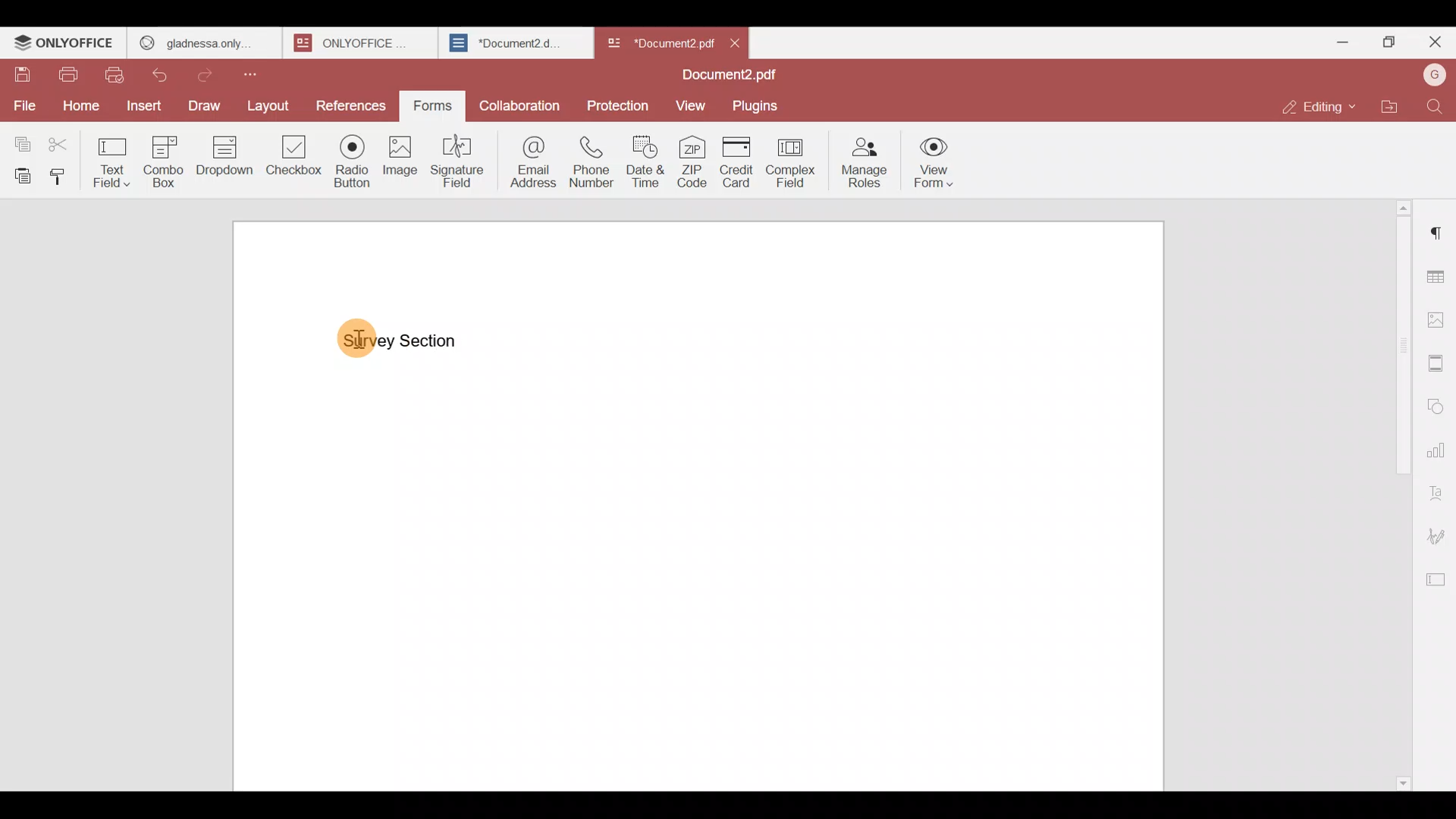  What do you see at coordinates (657, 42) in the screenshot?
I see `*Document2 pd` at bounding box center [657, 42].